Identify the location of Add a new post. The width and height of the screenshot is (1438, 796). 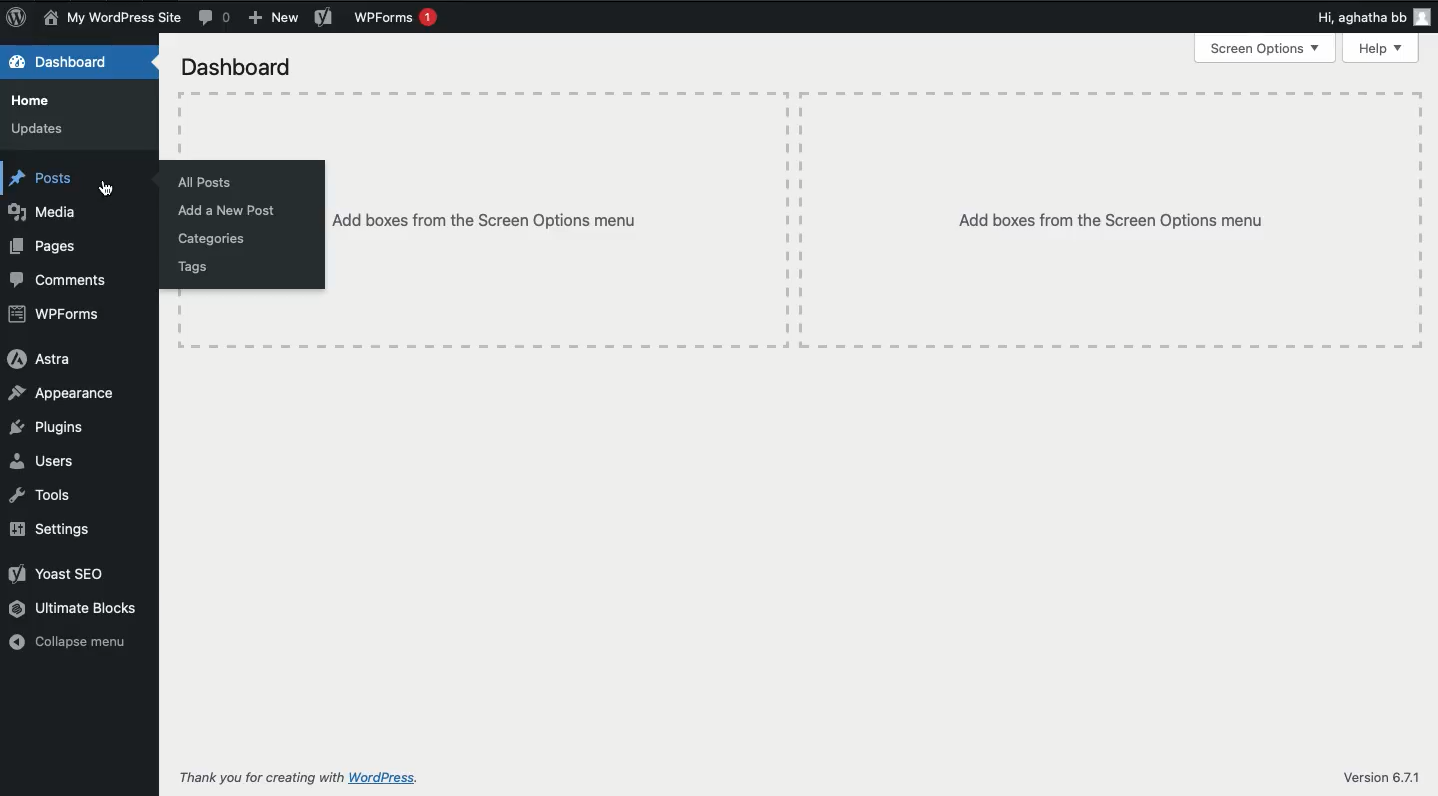
(227, 209).